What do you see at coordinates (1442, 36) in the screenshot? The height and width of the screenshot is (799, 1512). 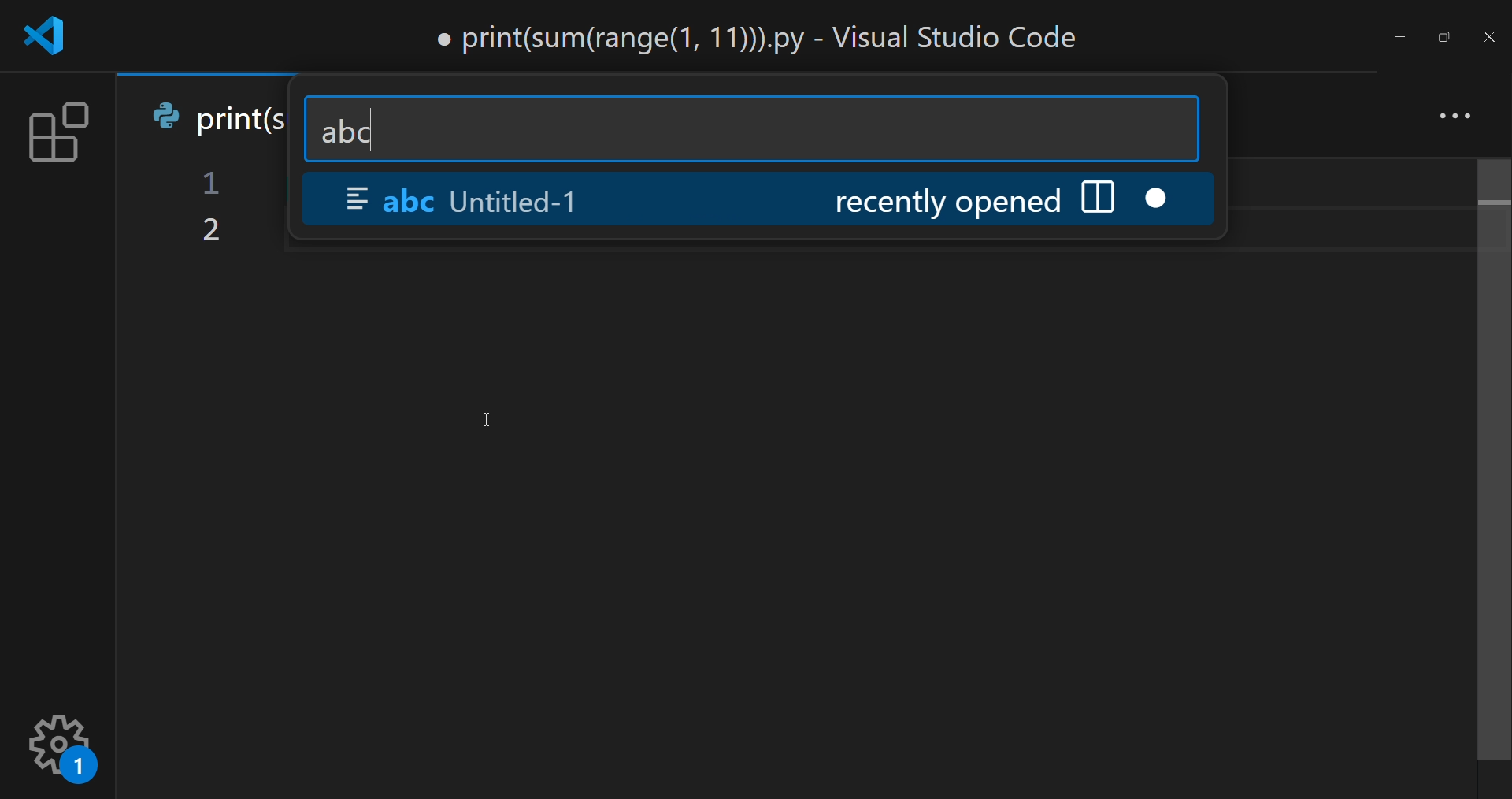 I see `maximize` at bounding box center [1442, 36].